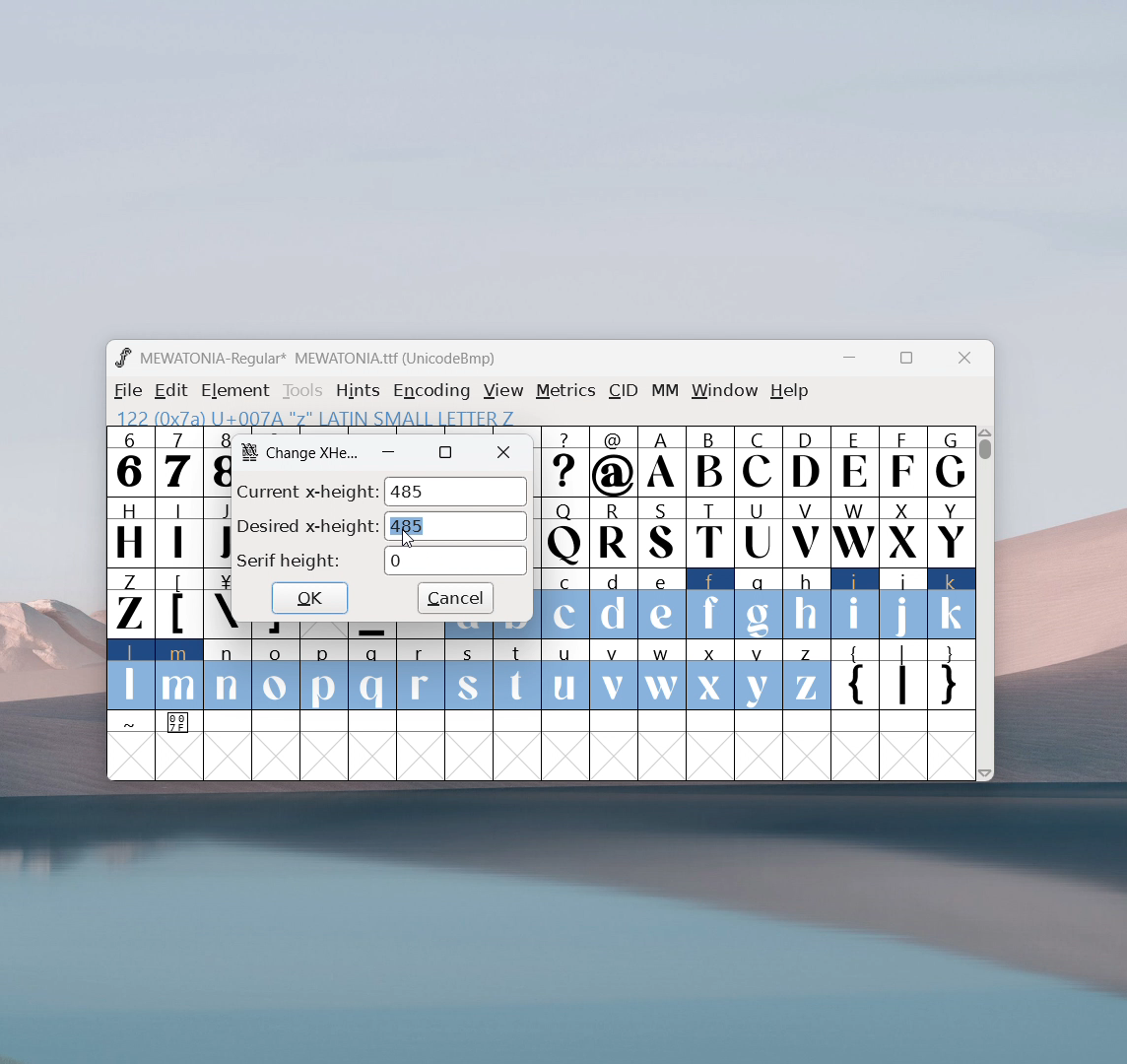 The image size is (1127, 1064). Describe the element at coordinates (303, 391) in the screenshot. I see `tools` at that location.